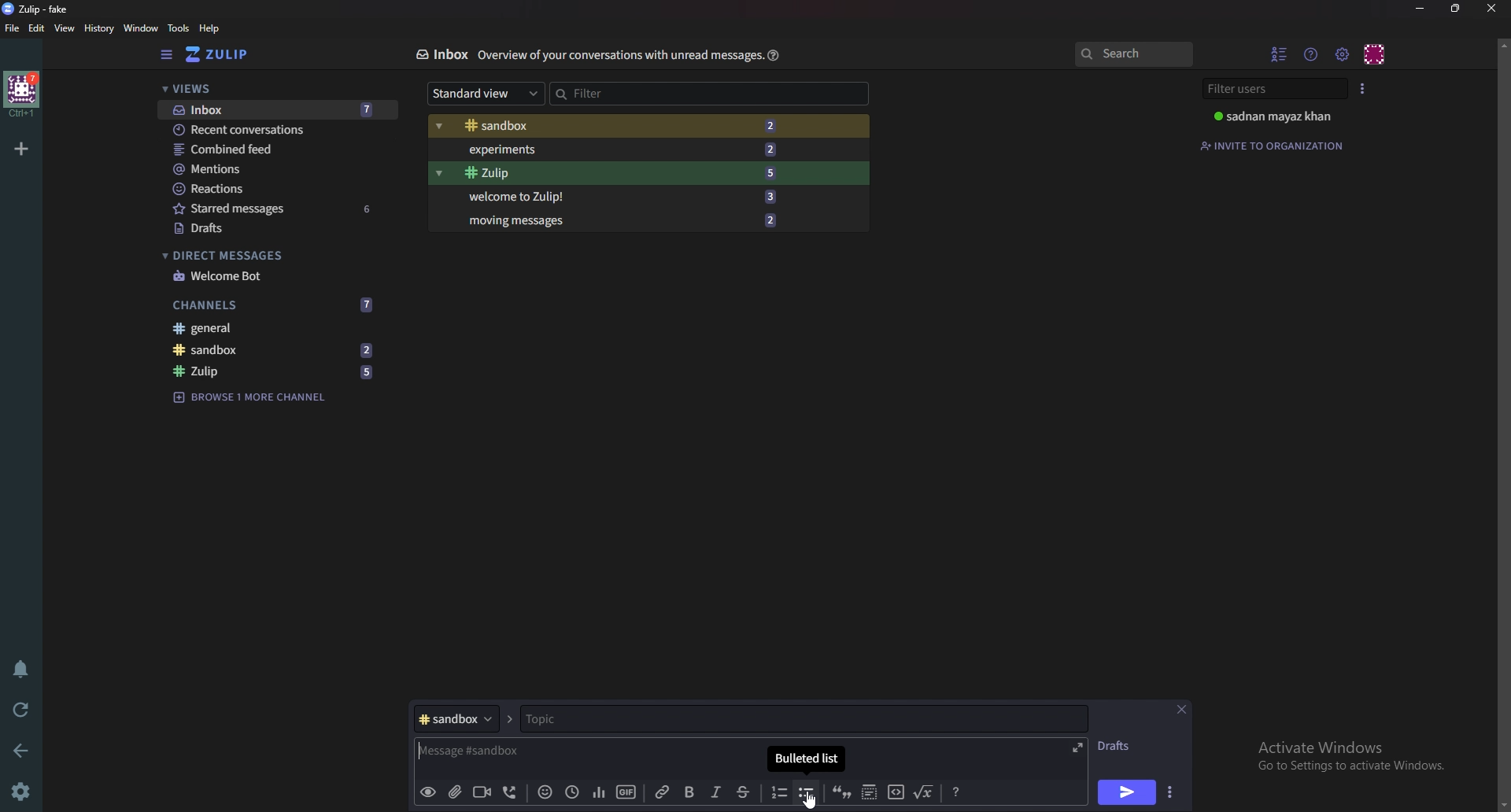  Describe the element at coordinates (618, 195) in the screenshot. I see `Welcome to zulip` at that location.